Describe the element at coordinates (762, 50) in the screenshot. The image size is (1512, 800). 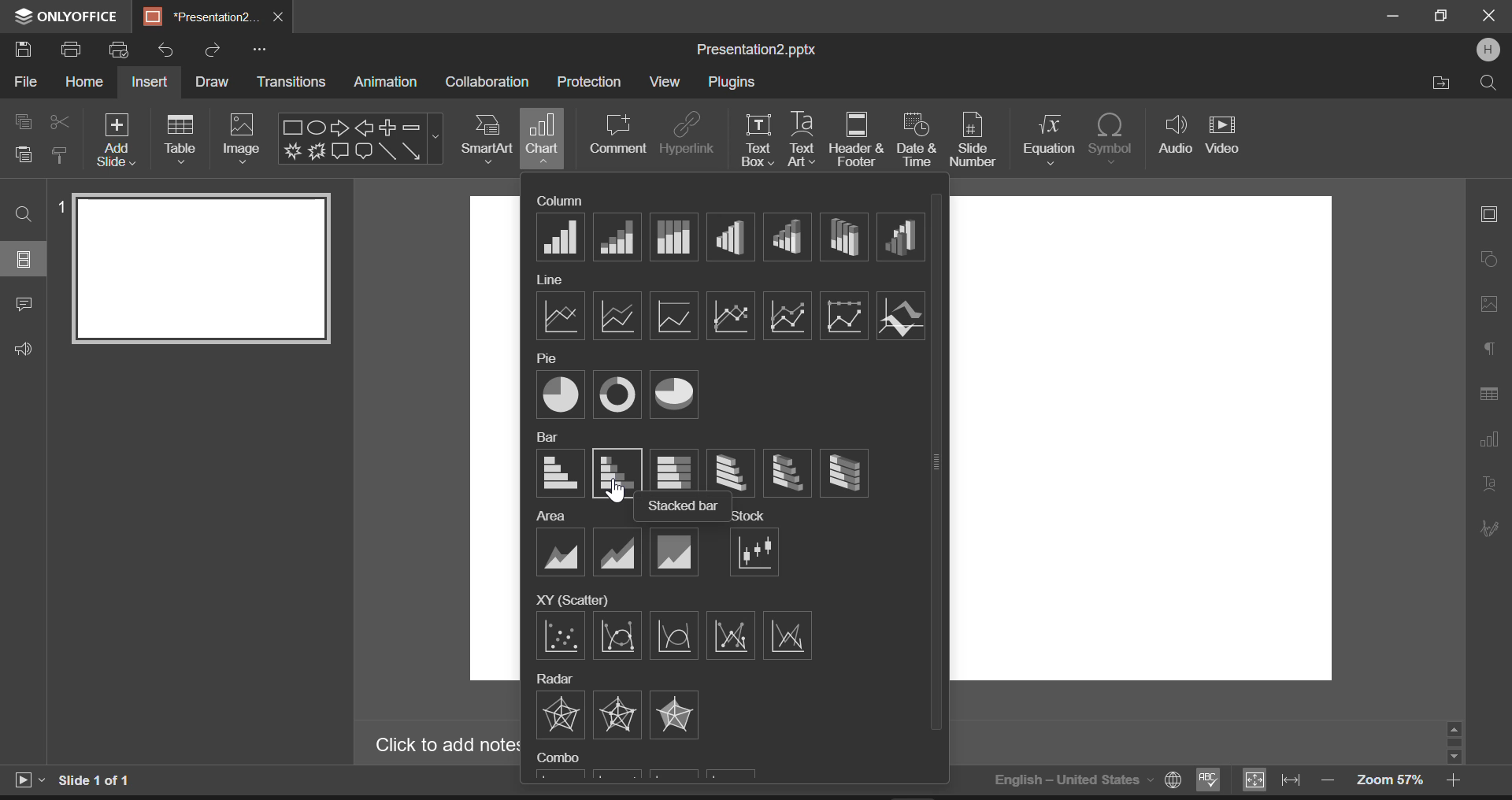
I see `Presentation2.pptx` at that location.